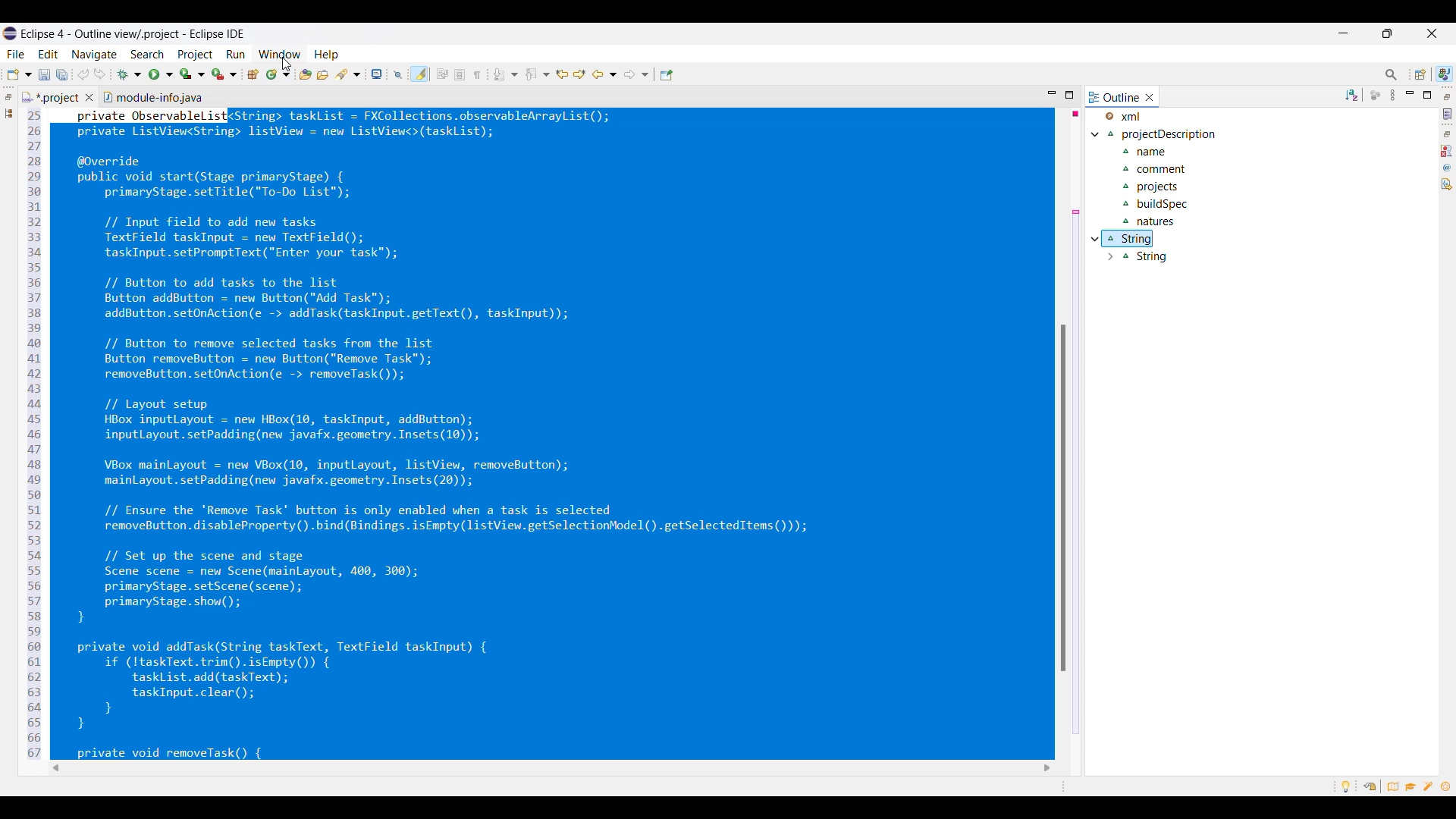 The height and width of the screenshot is (819, 1456). Describe the element at coordinates (1351, 96) in the screenshot. I see `Alphabetical sorting ` at that location.